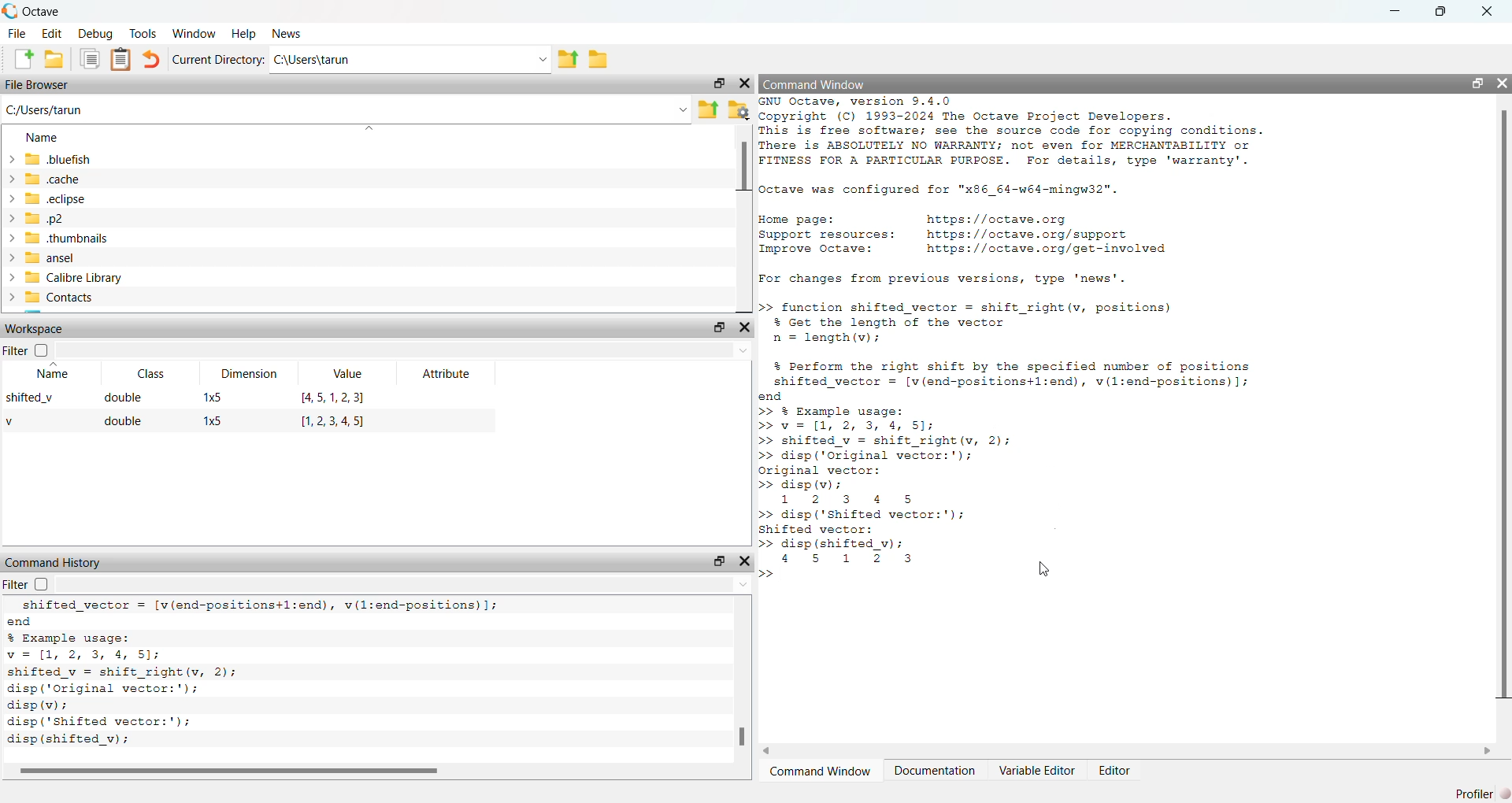 Image resolution: width=1512 pixels, height=803 pixels. What do you see at coordinates (741, 714) in the screenshot?
I see `scrollbar` at bounding box center [741, 714].